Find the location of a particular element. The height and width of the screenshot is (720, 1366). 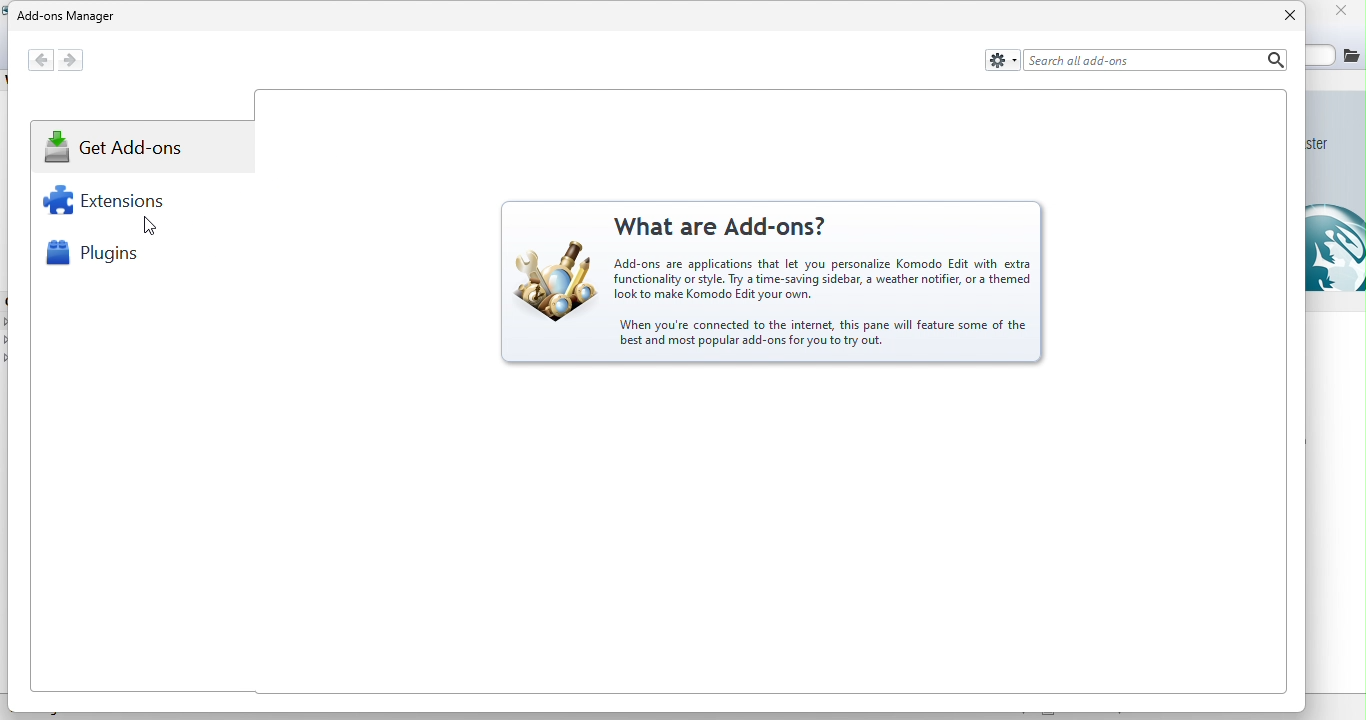

cursor movement is located at coordinates (146, 223).